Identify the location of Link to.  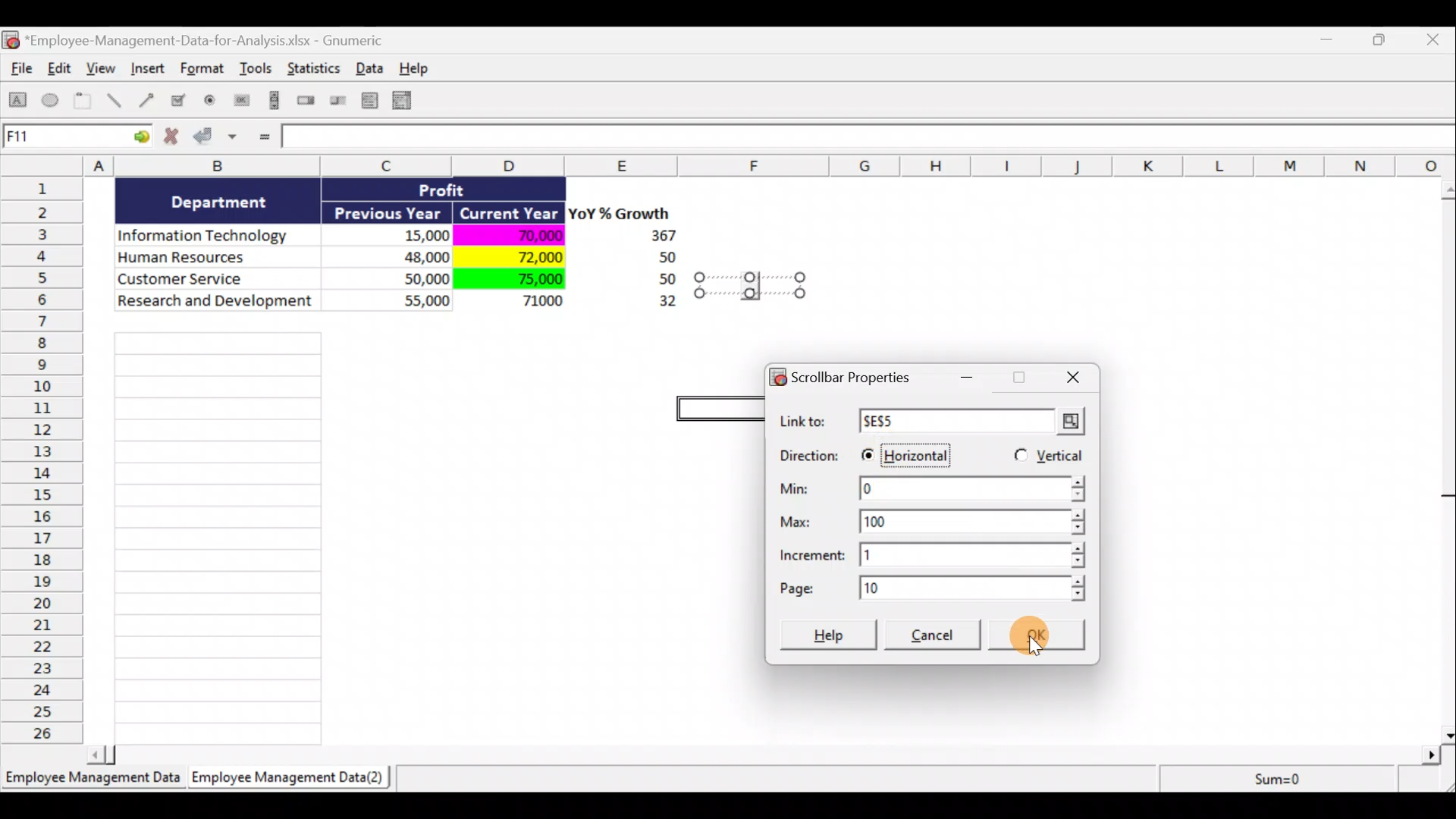
(937, 422).